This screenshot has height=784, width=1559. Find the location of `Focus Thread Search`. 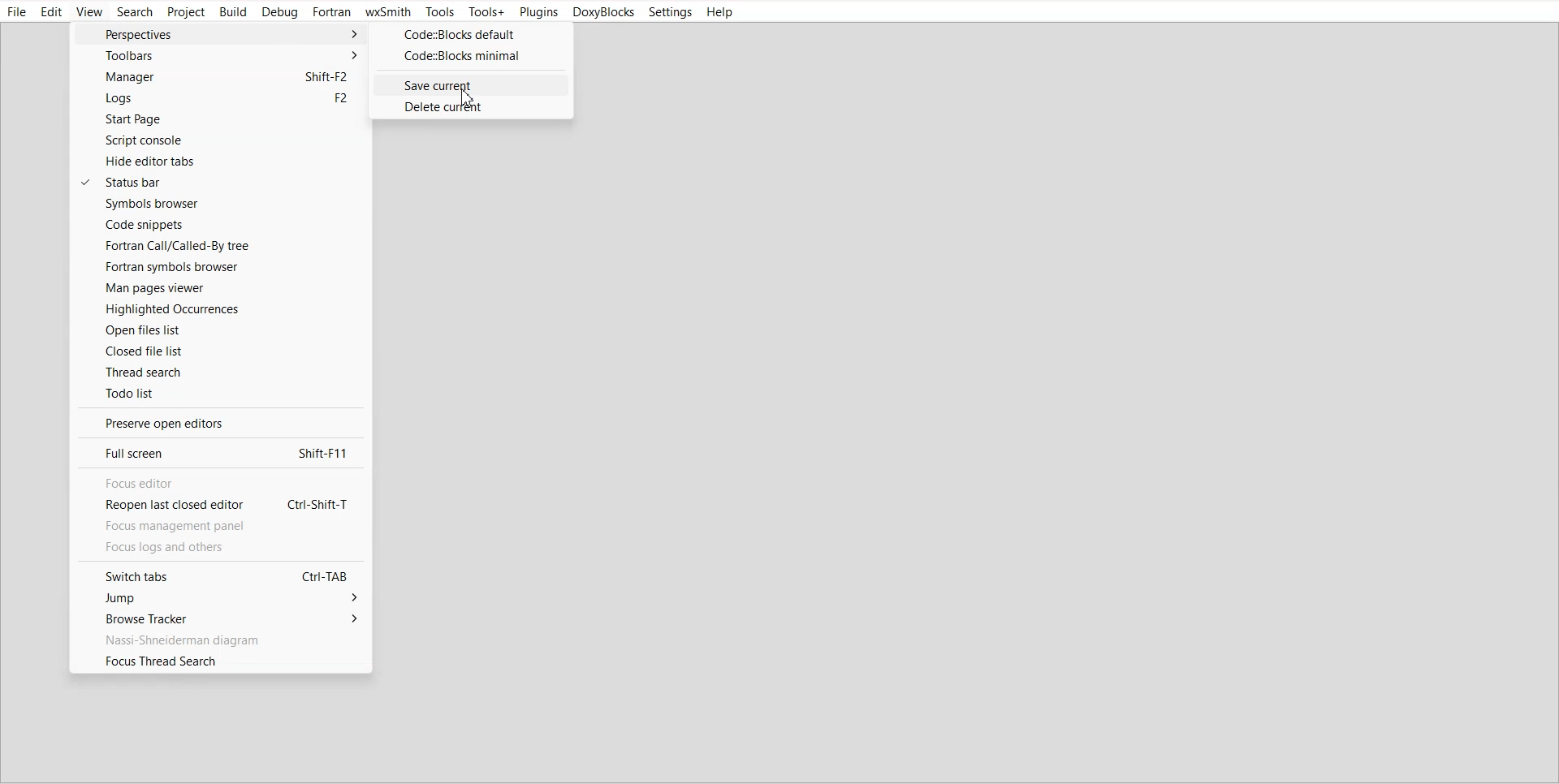

Focus Thread Search is located at coordinates (221, 661).